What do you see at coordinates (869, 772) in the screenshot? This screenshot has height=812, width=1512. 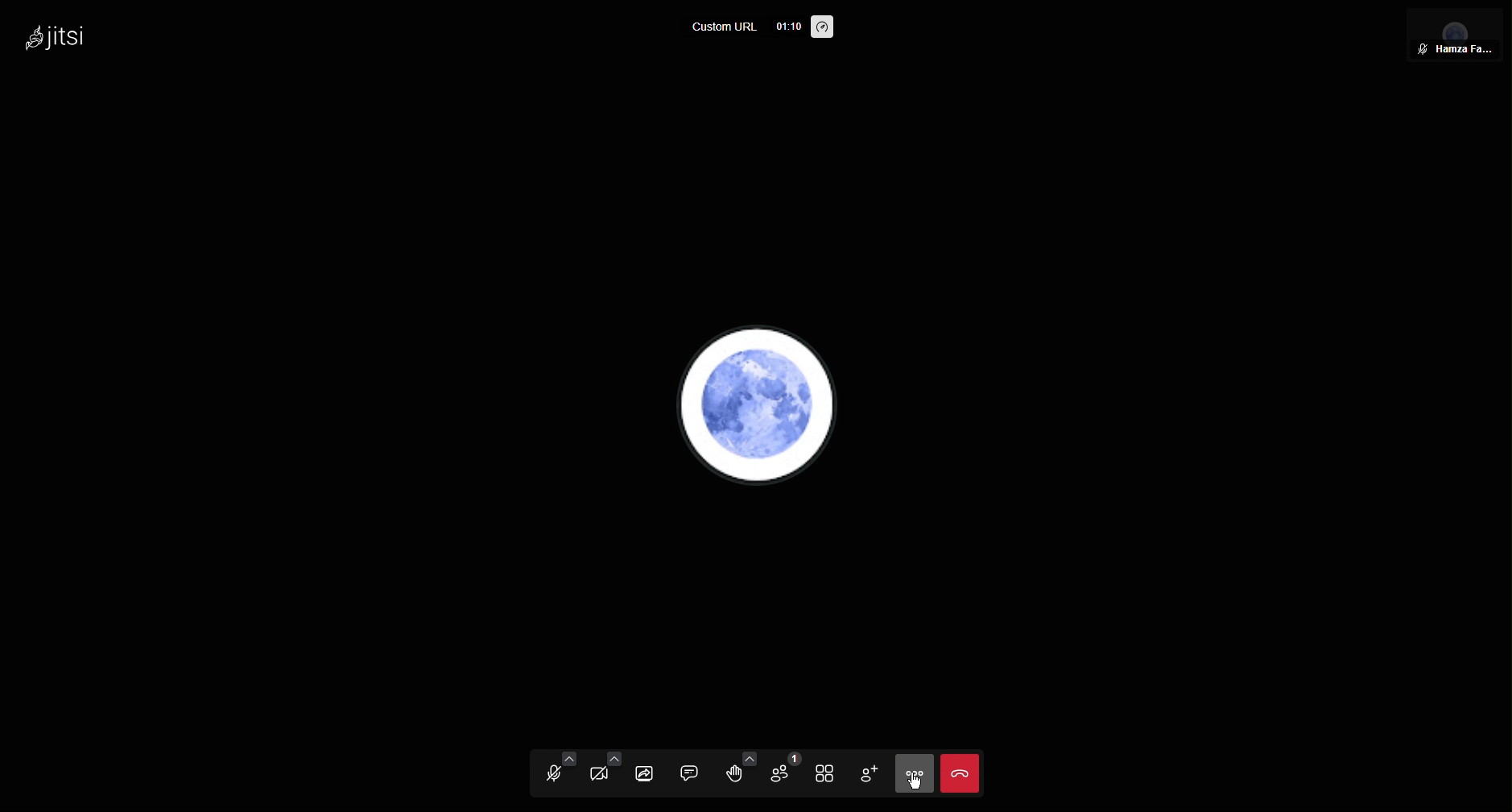 I see `Add Participant` at bounding box center [869, 772].